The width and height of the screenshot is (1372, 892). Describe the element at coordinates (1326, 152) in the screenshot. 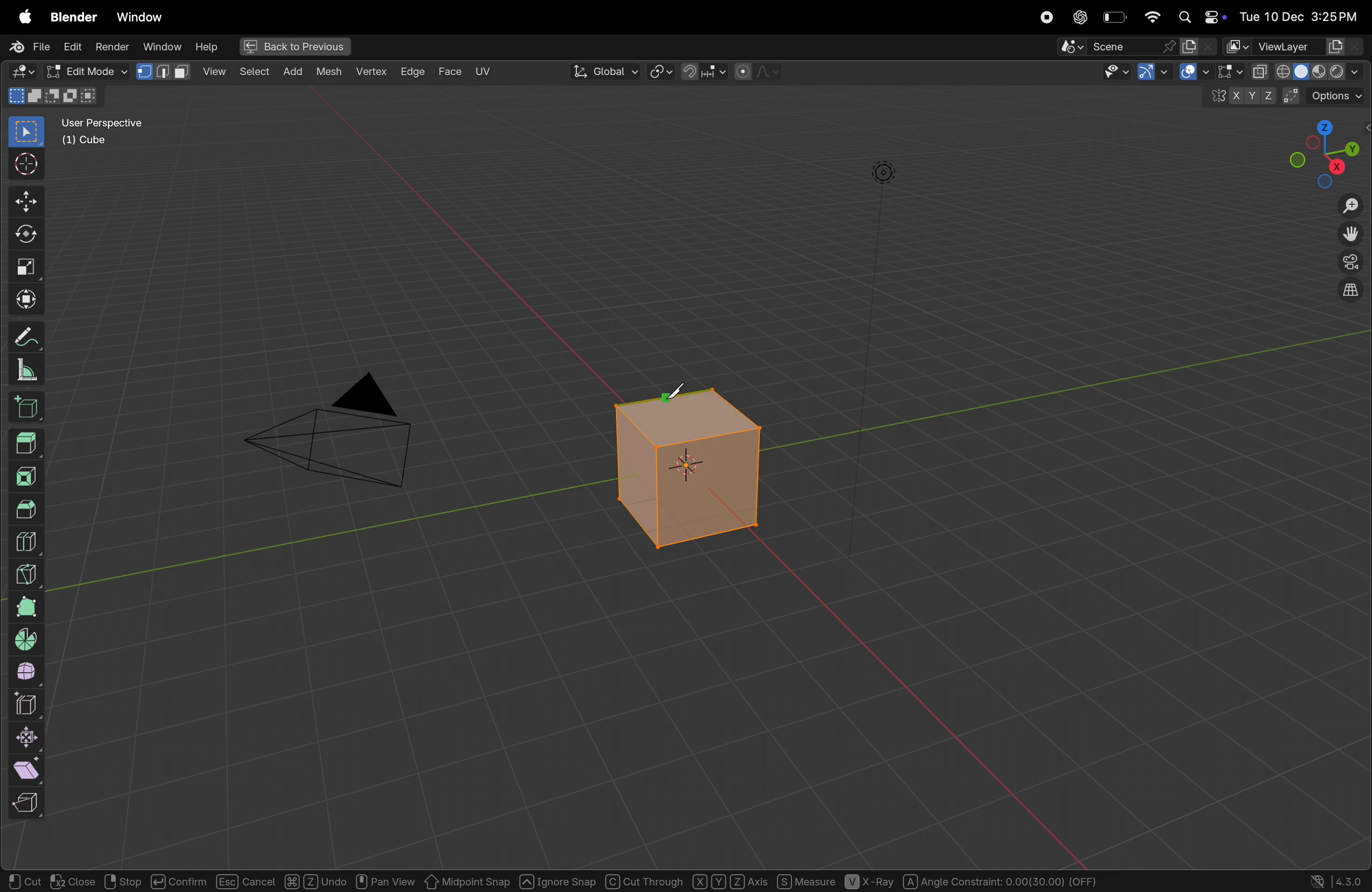

I see `View point` at that location.